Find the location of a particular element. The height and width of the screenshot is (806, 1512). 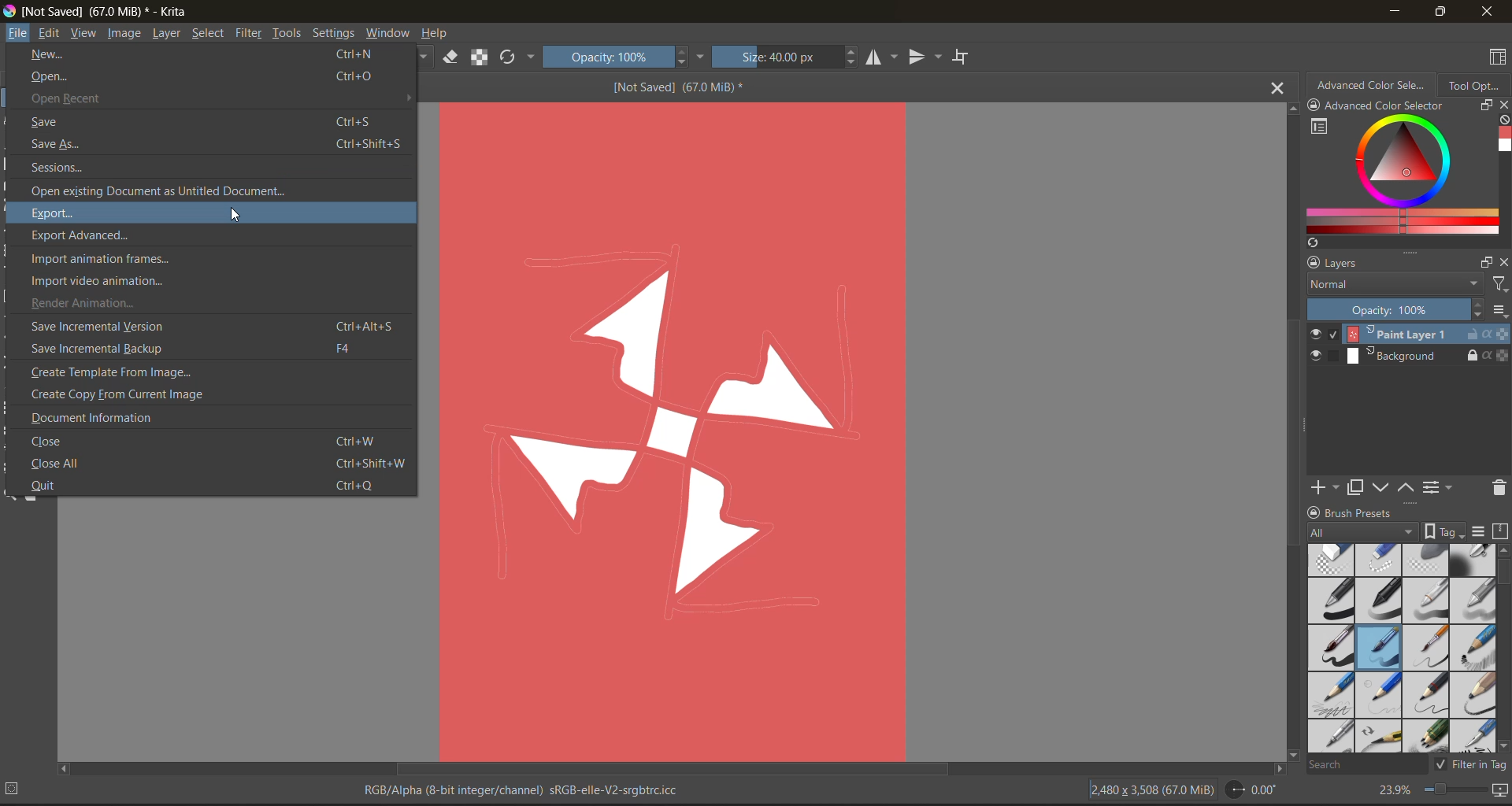

save is located at coordinates (209, 121).